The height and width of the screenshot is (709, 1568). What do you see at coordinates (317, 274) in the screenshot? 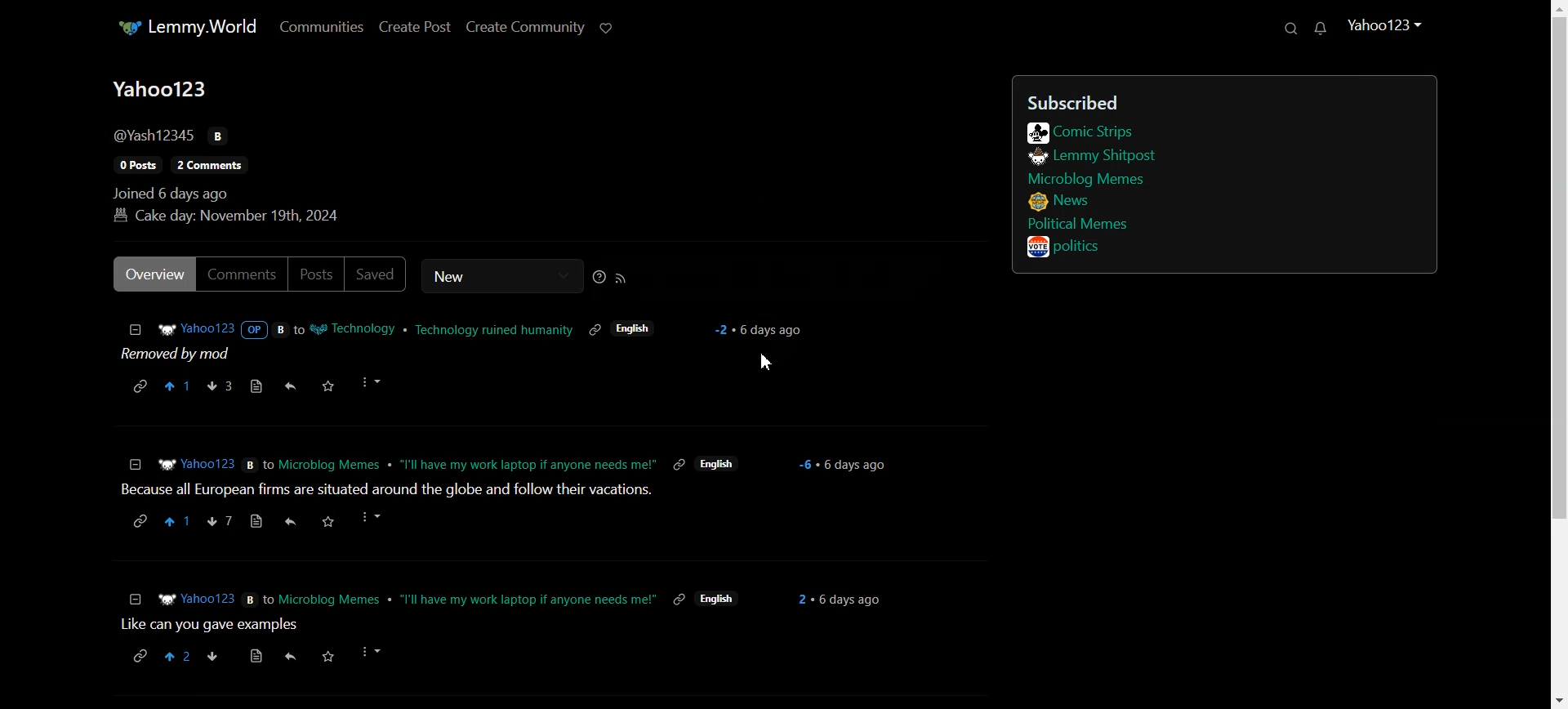
I see `Posts` at bounding box center [317, 274].